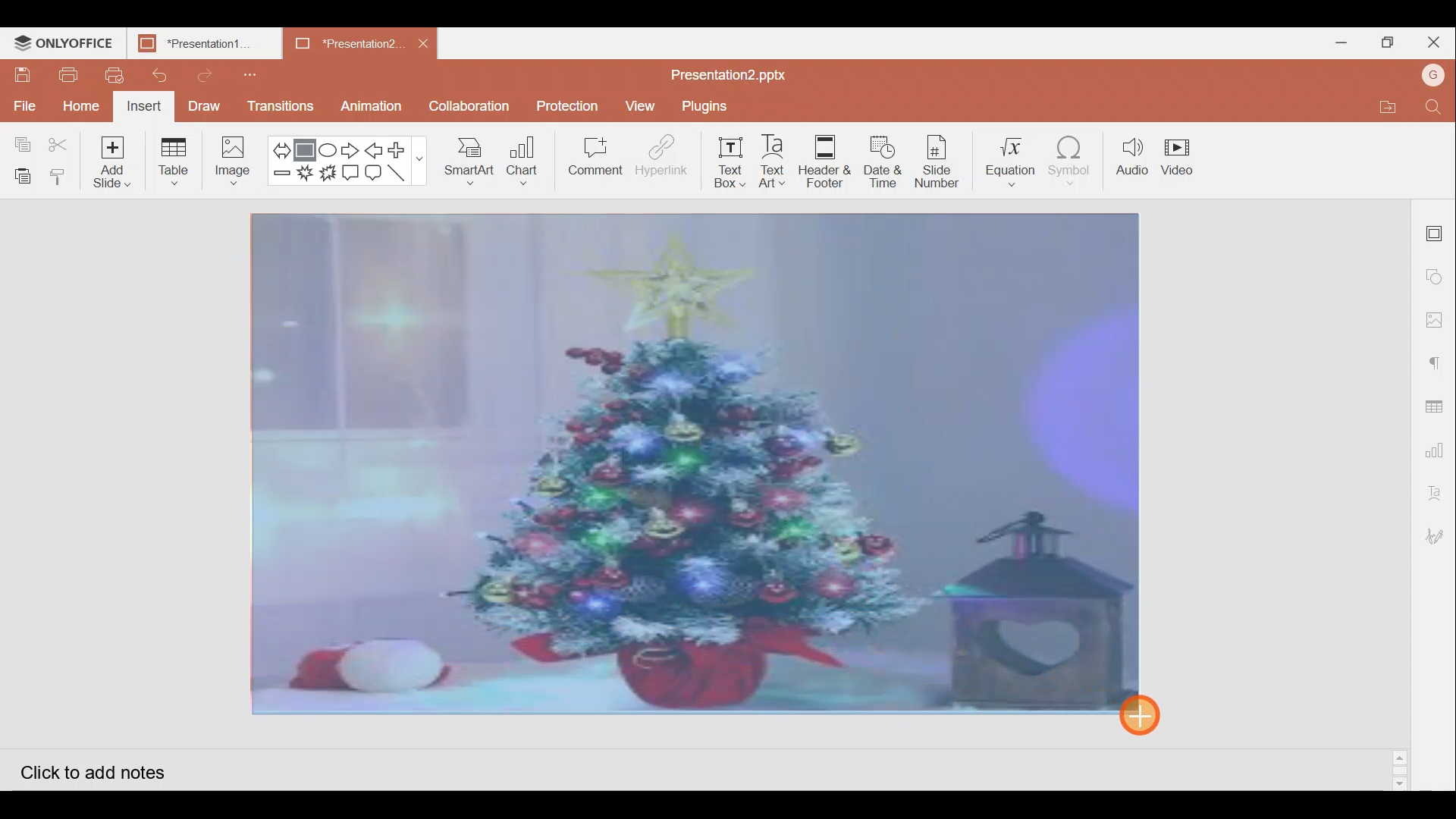 The image size is (1456, 819). I want to click on Explosion 1, so click(306, 177).